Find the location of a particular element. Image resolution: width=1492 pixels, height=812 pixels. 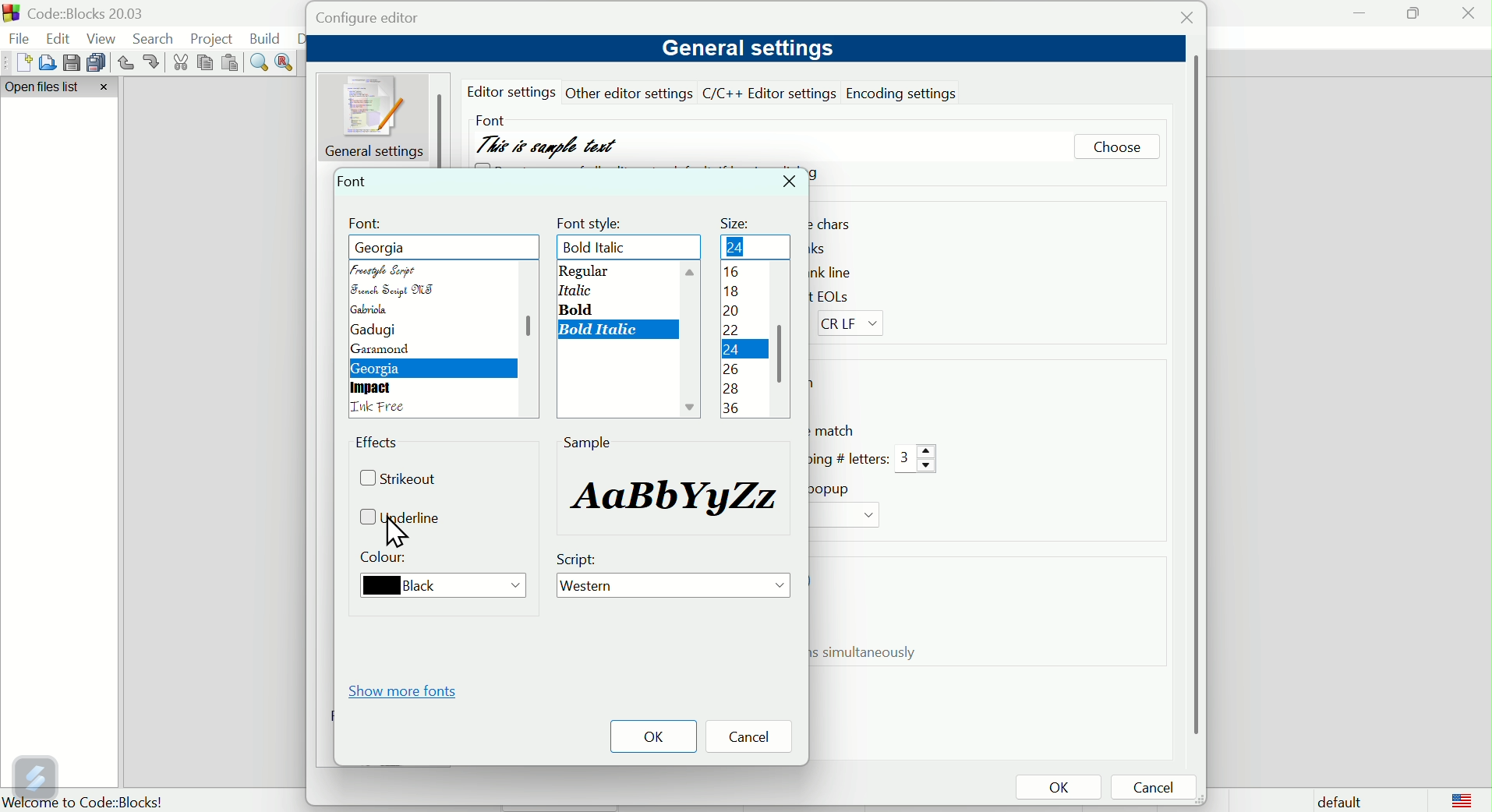

Georgia is located at coordinates (380, 369).